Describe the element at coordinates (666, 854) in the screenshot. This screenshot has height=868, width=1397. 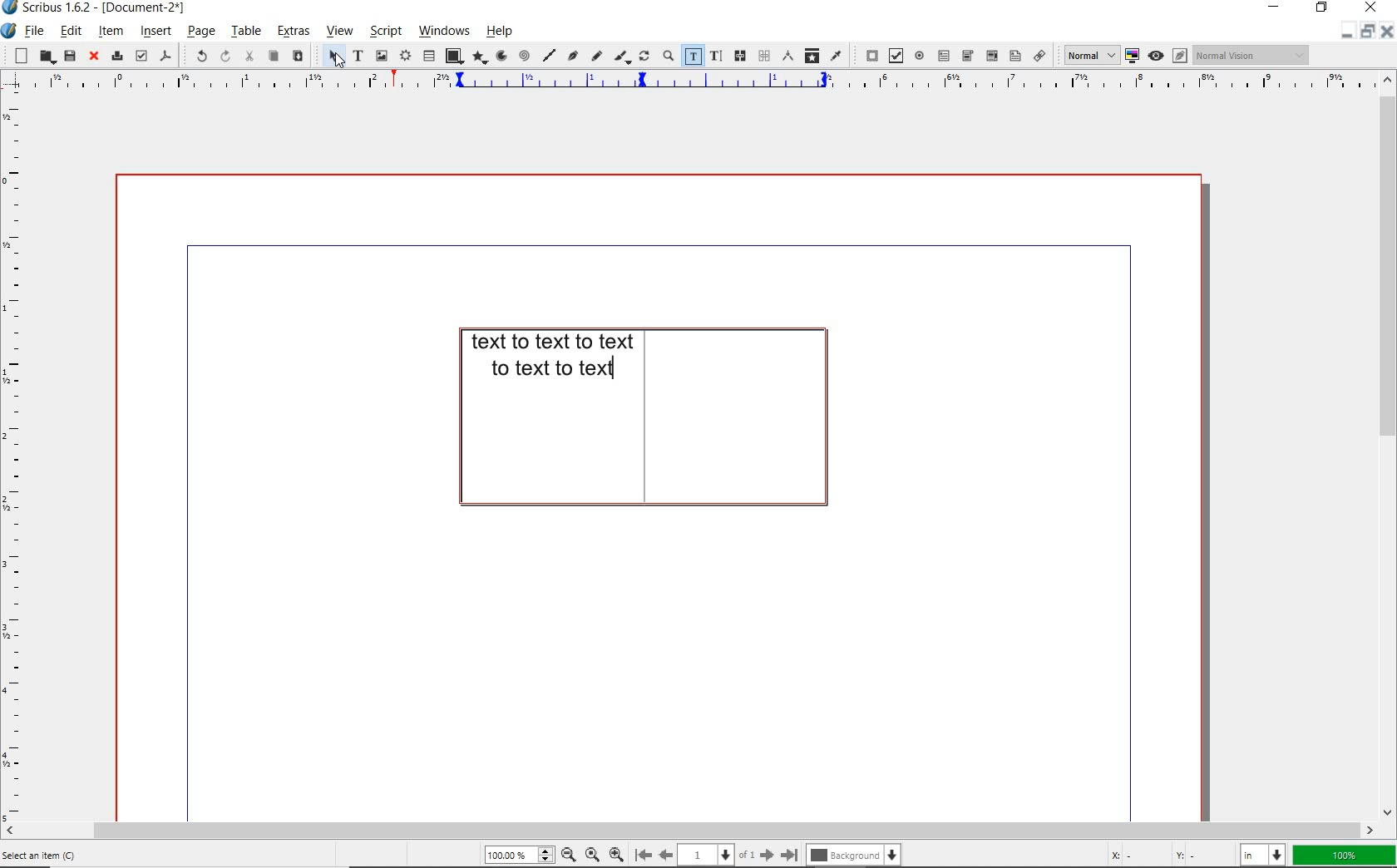
I see `go back` at that location.